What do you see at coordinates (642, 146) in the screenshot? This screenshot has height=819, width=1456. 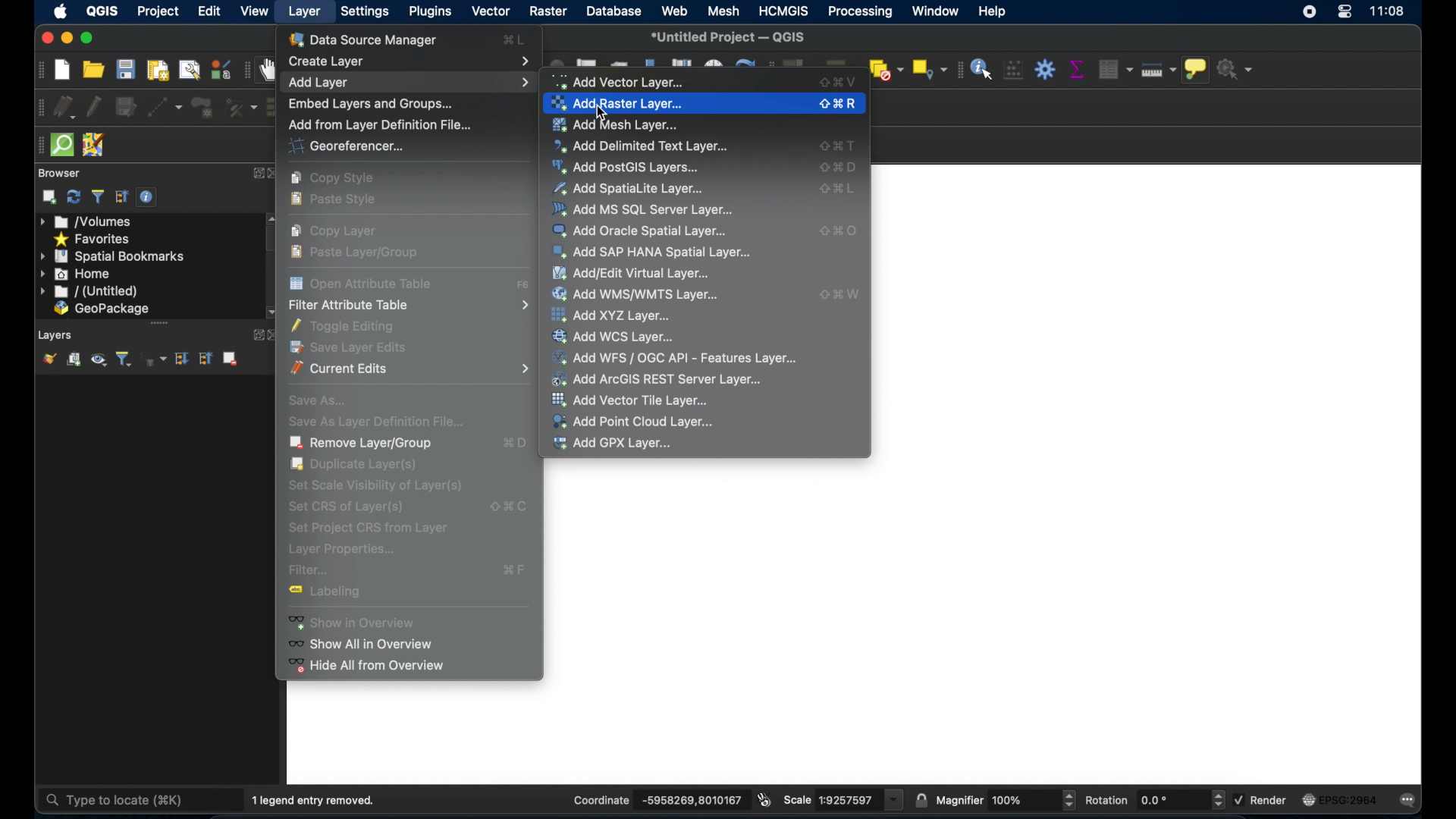 I see `add delimited text layer` at bounding box center [642, 146].